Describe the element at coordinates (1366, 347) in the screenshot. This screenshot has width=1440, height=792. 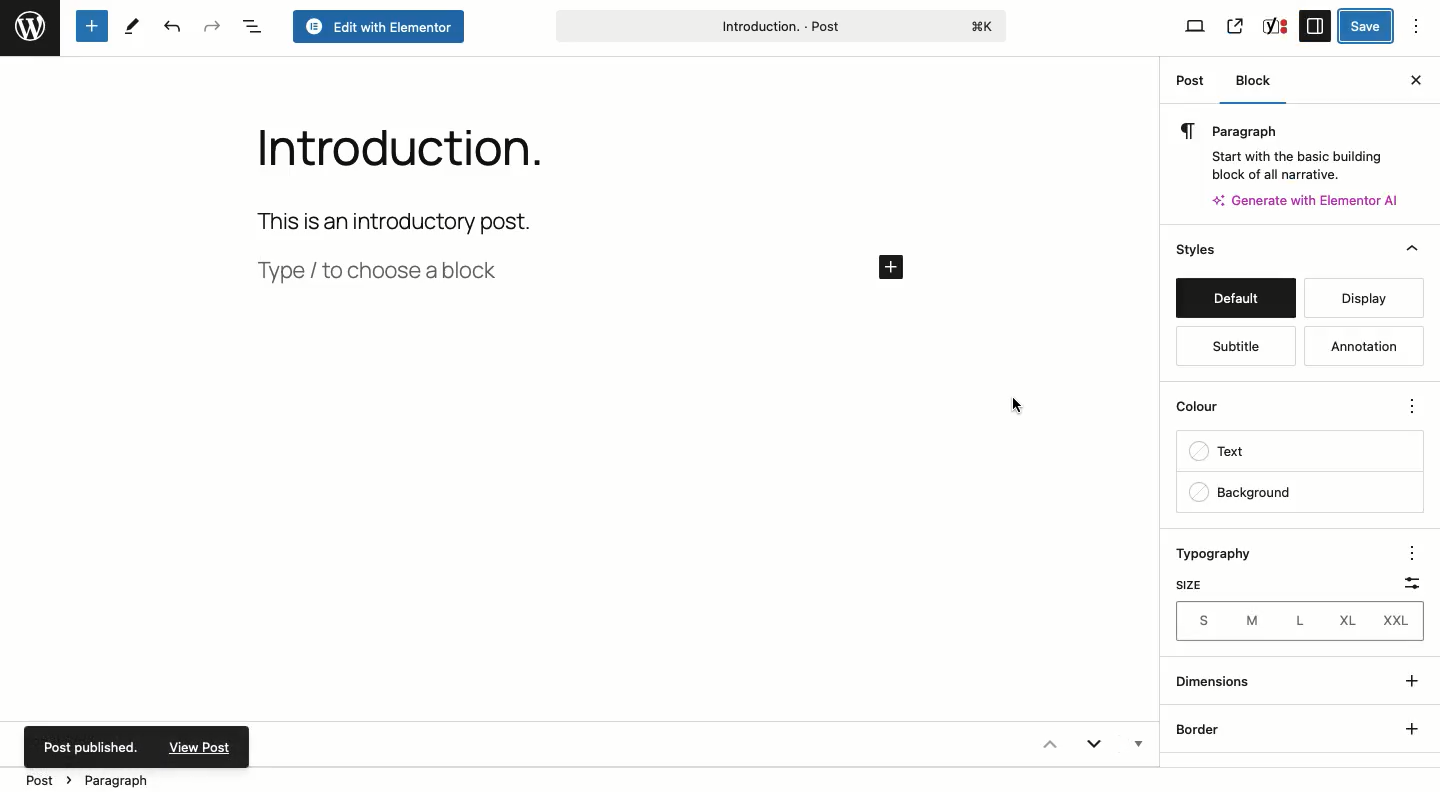
I see `Annotation` at that location.